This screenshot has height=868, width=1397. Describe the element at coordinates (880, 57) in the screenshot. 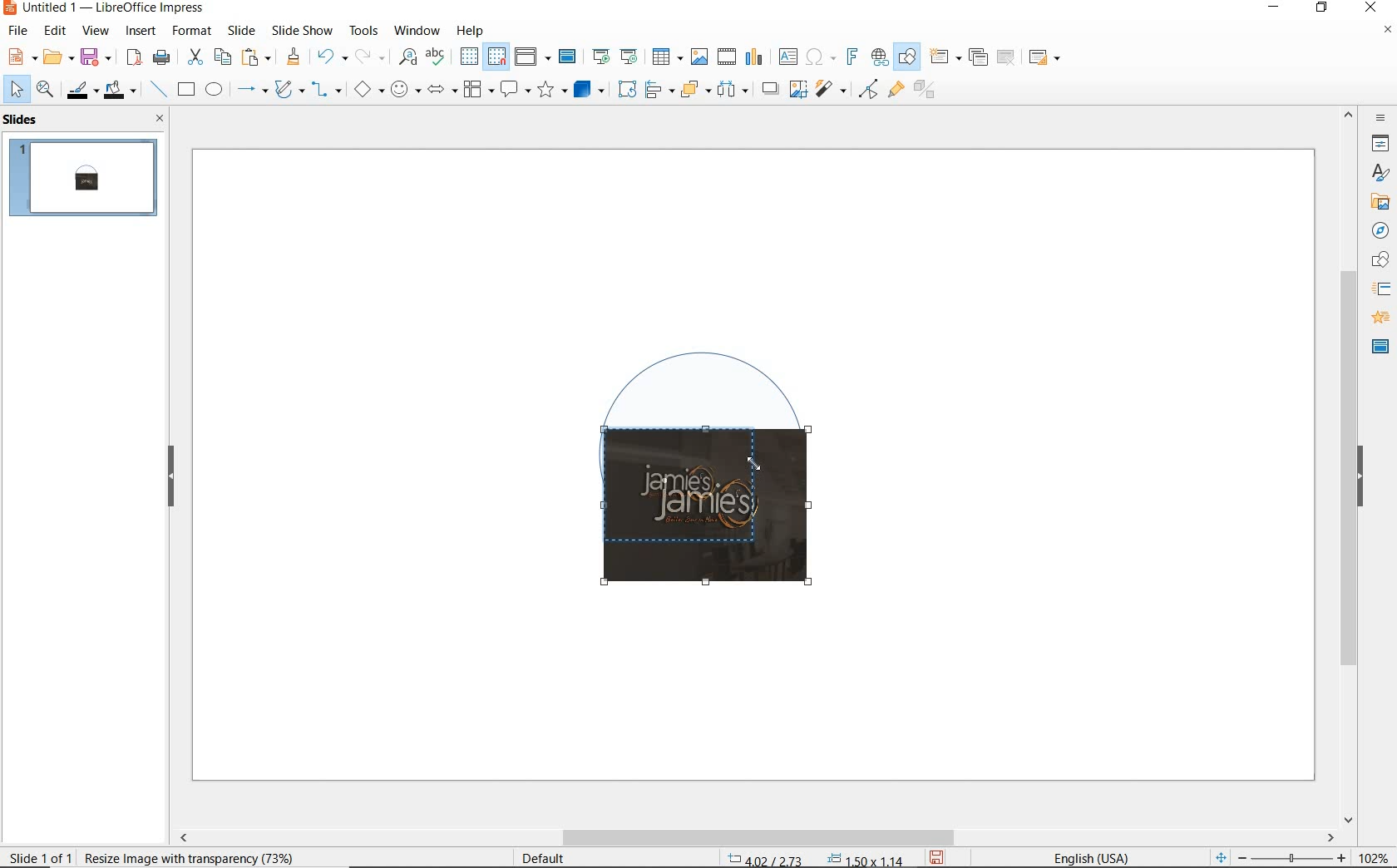

I see `insert hyperlink` at that location.